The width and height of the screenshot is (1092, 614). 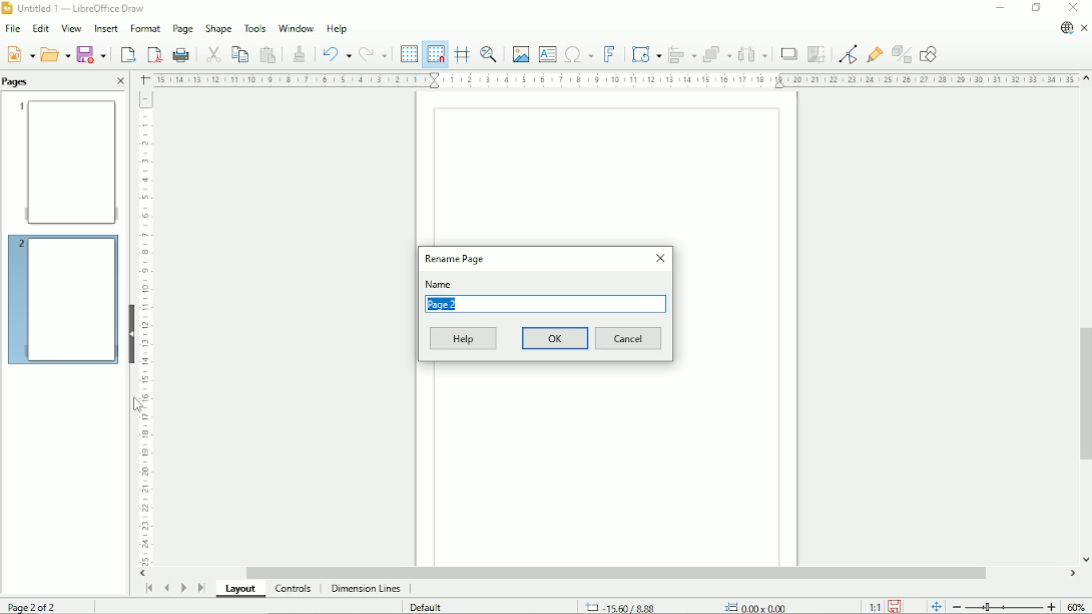 I want to click on Controls, so click(x=295, y=589).